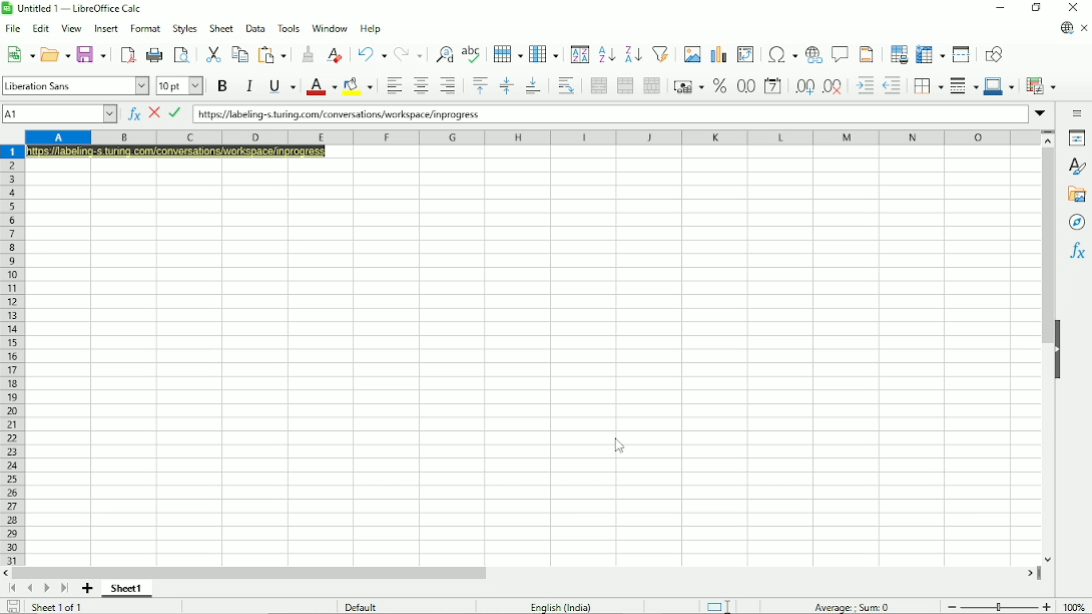 This screenshot has height=614, width=1092. Describe the element at coordinates (717, 54) in the screenshot. I see `Insert chart` at that location.